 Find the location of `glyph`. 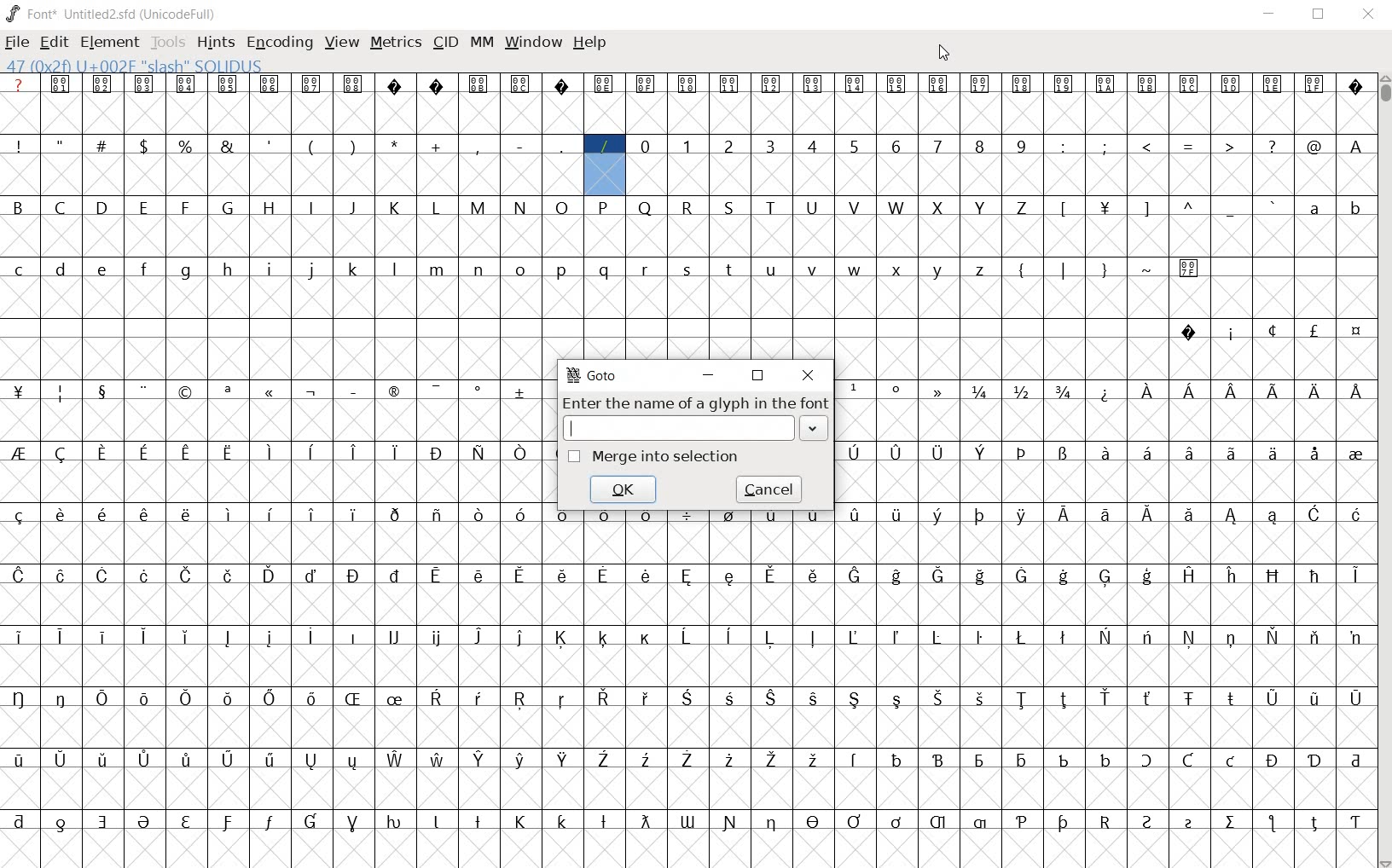

glyph is located at coordinates (438, 639).